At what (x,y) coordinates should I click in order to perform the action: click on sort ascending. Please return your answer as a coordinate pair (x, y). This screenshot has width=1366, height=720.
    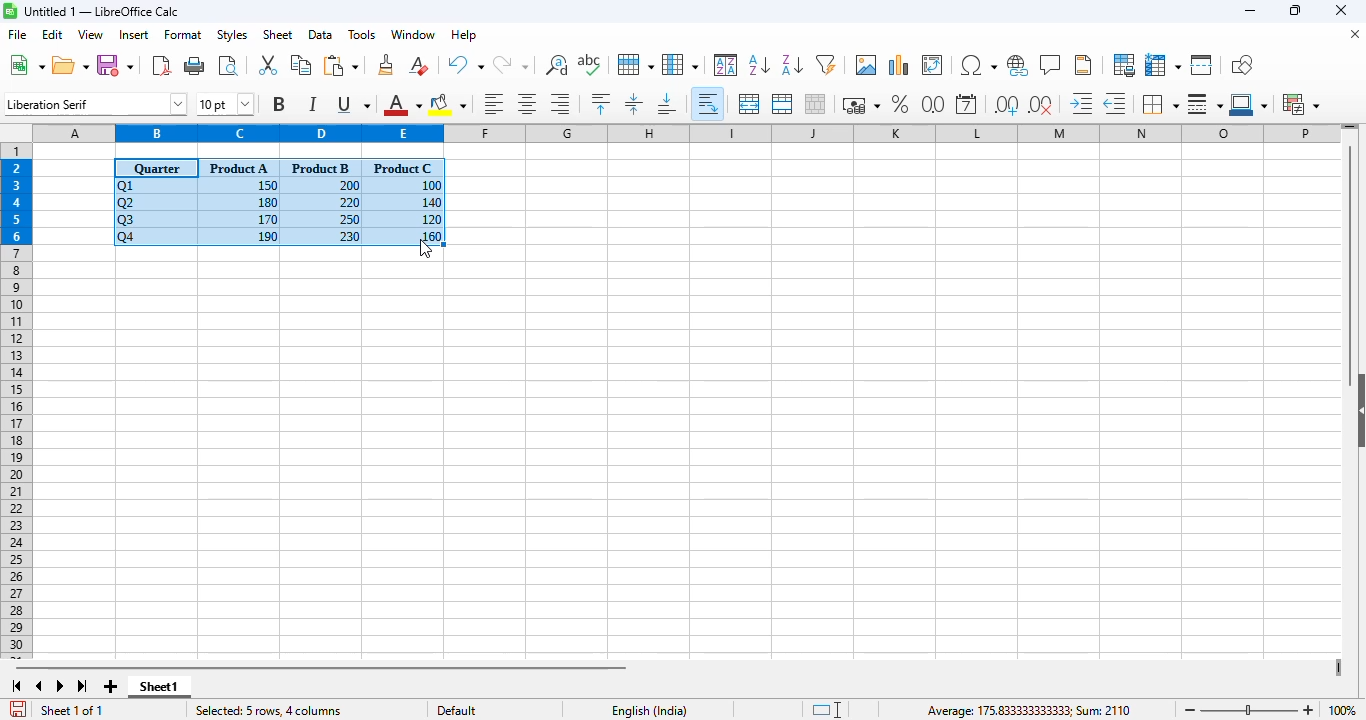
    Looking at the image, I should click on (760, 65).